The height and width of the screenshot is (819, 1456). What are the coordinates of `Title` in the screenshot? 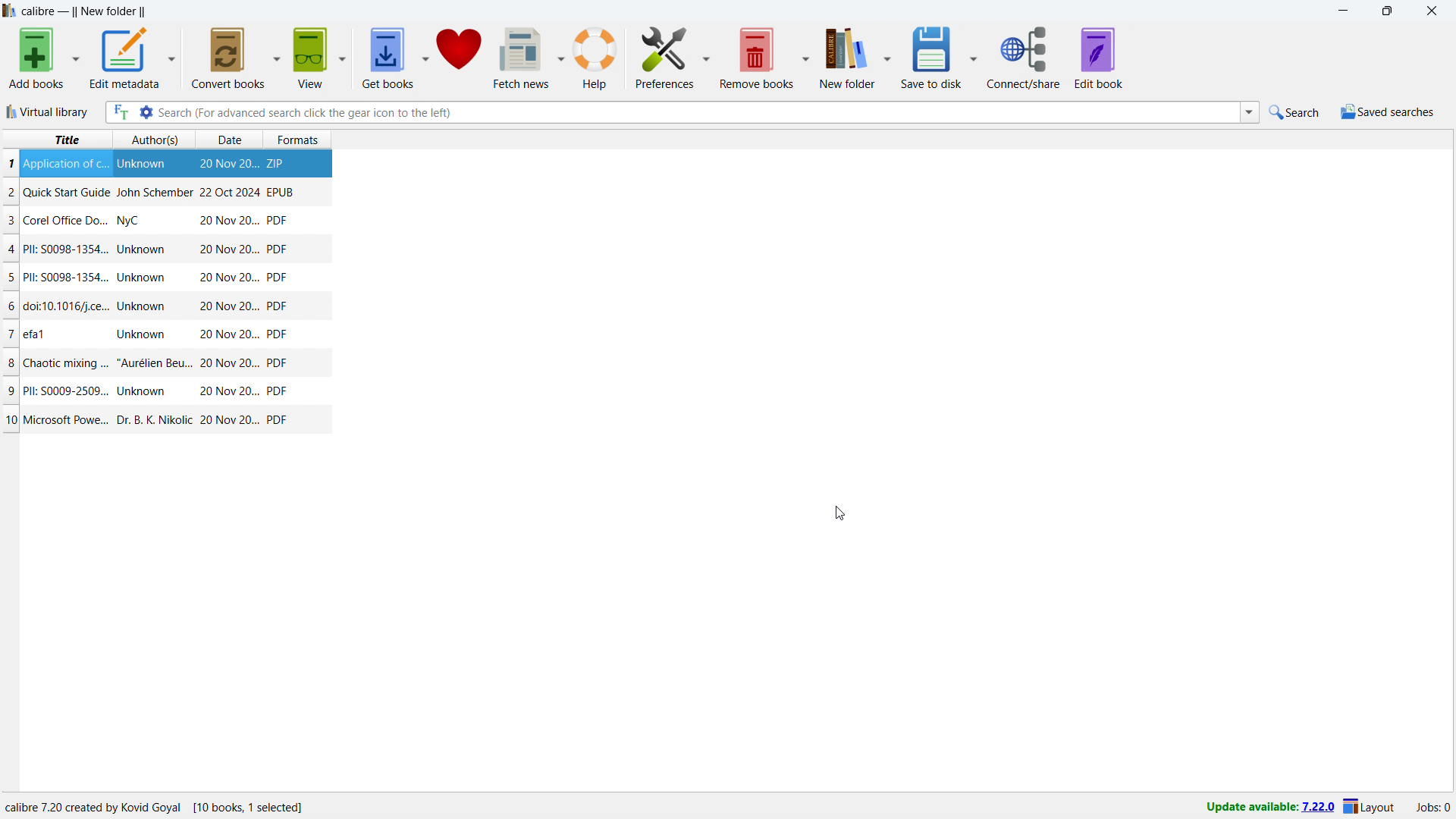 It's located at (66, 249).